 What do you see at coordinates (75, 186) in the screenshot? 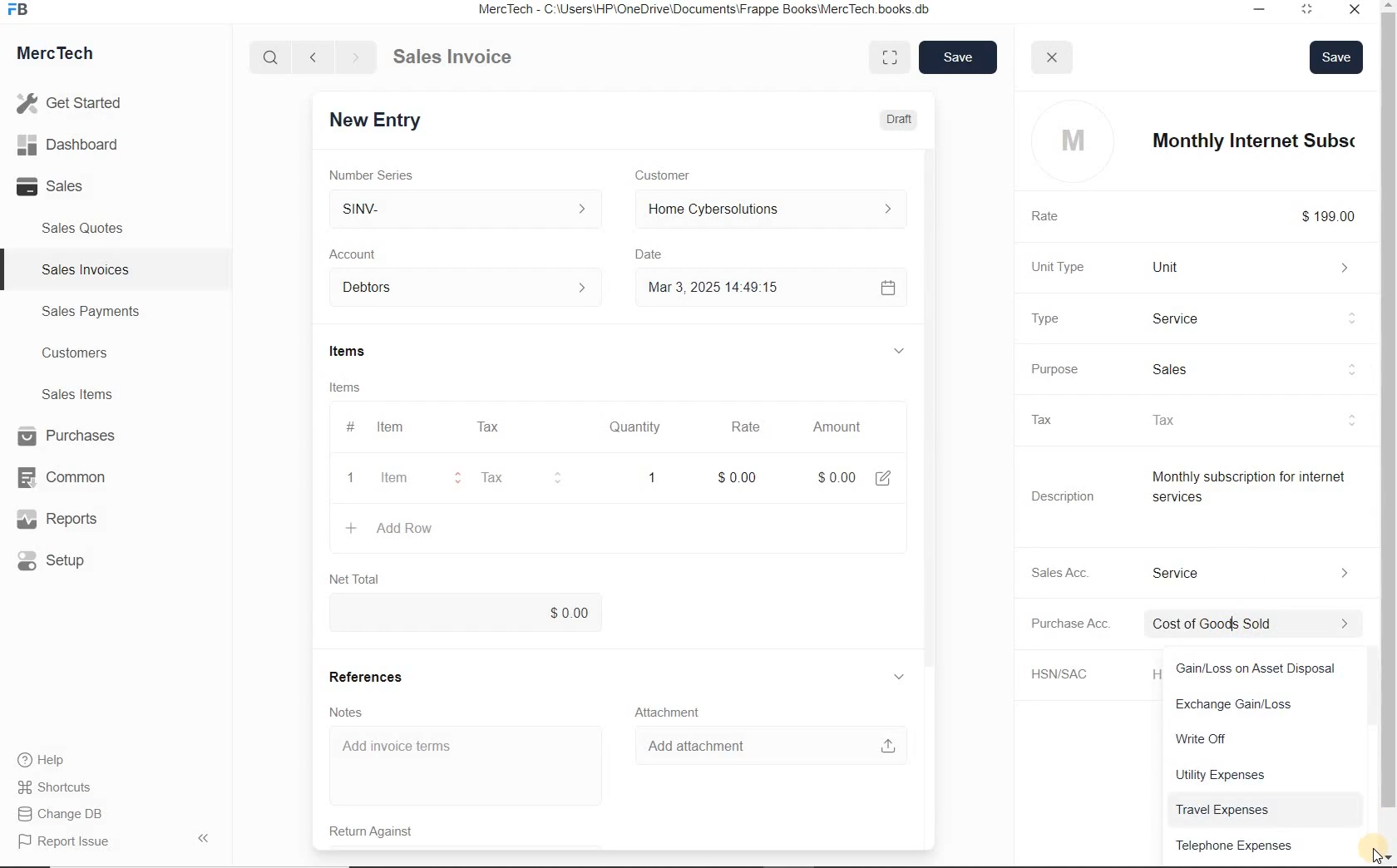
I see `Sales` at bounding box center [75, 186].